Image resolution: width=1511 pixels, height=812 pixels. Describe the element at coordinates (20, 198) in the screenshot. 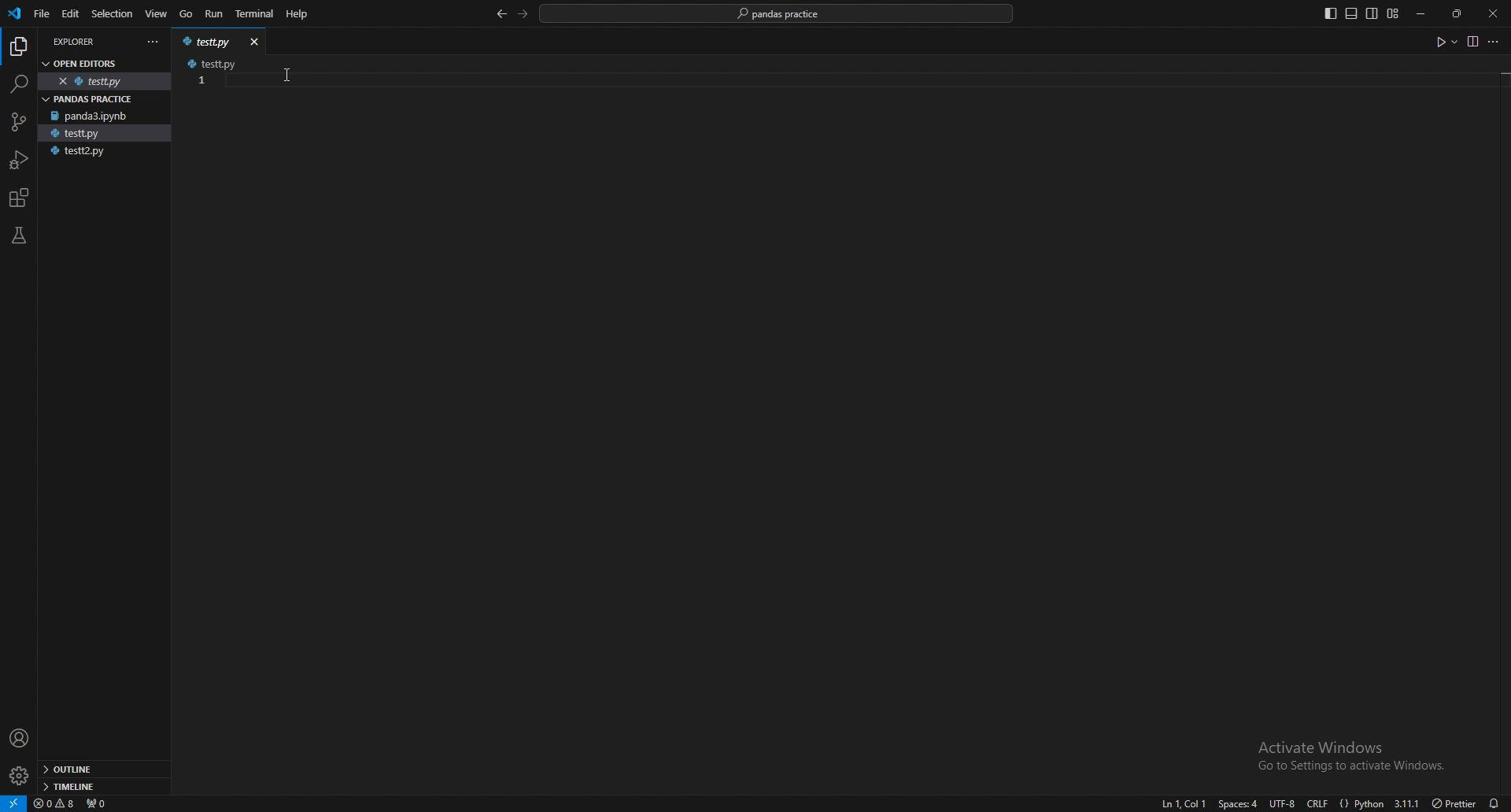

I see `extensions` at that location.